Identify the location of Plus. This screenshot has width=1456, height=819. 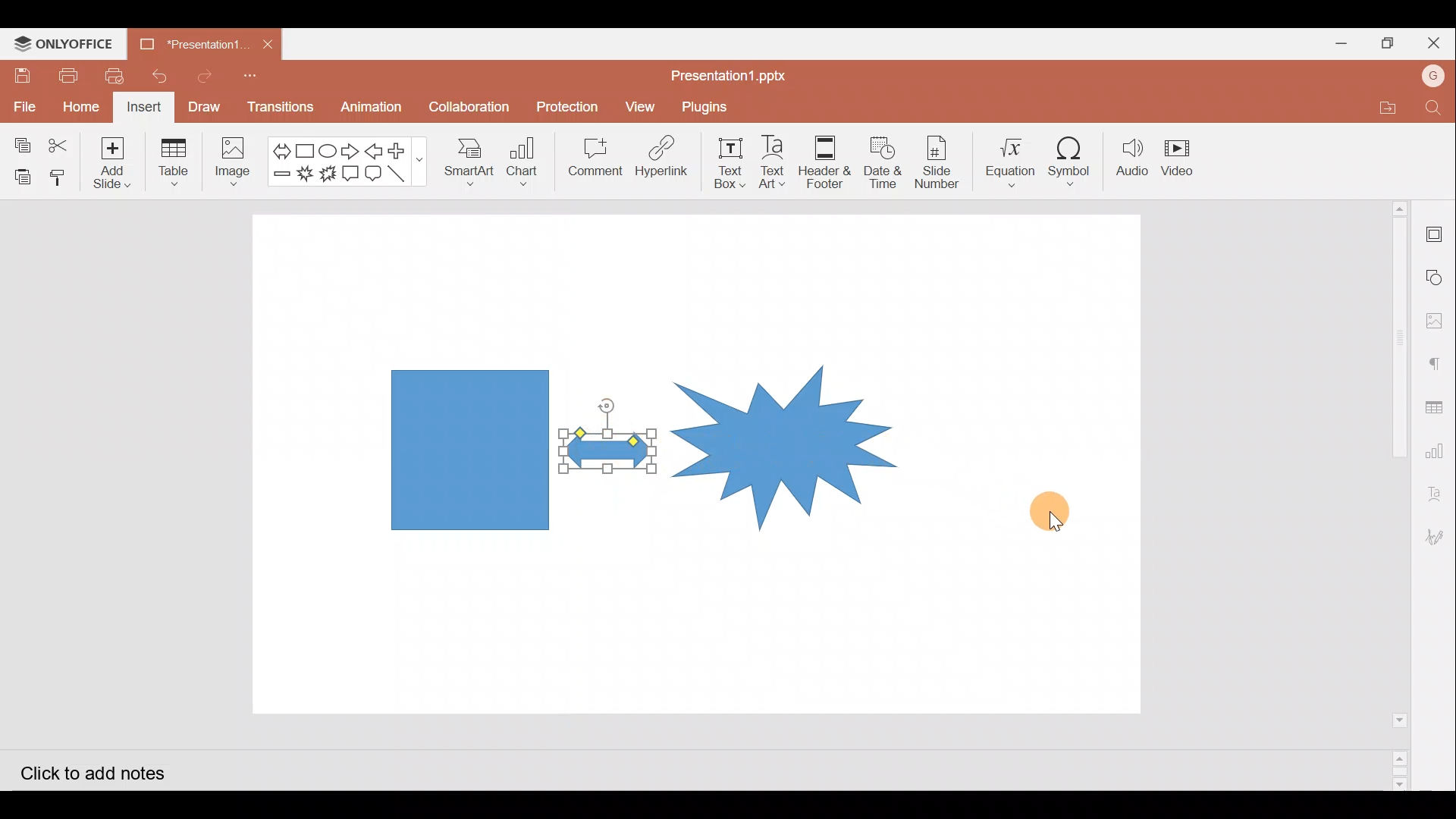
(403, 149).